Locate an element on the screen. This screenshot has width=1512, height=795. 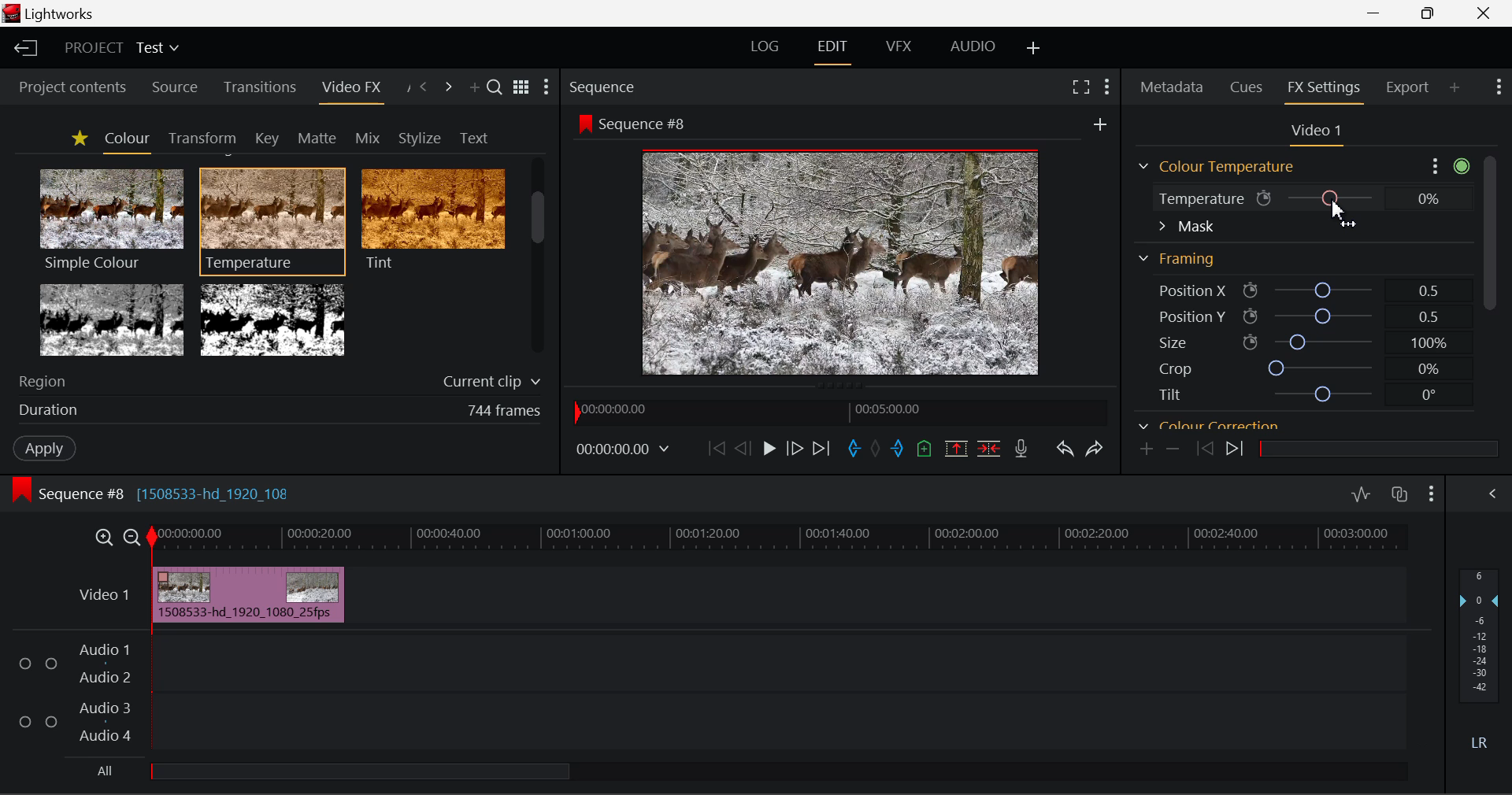
Current clip  is located at coordinates (489, 383).